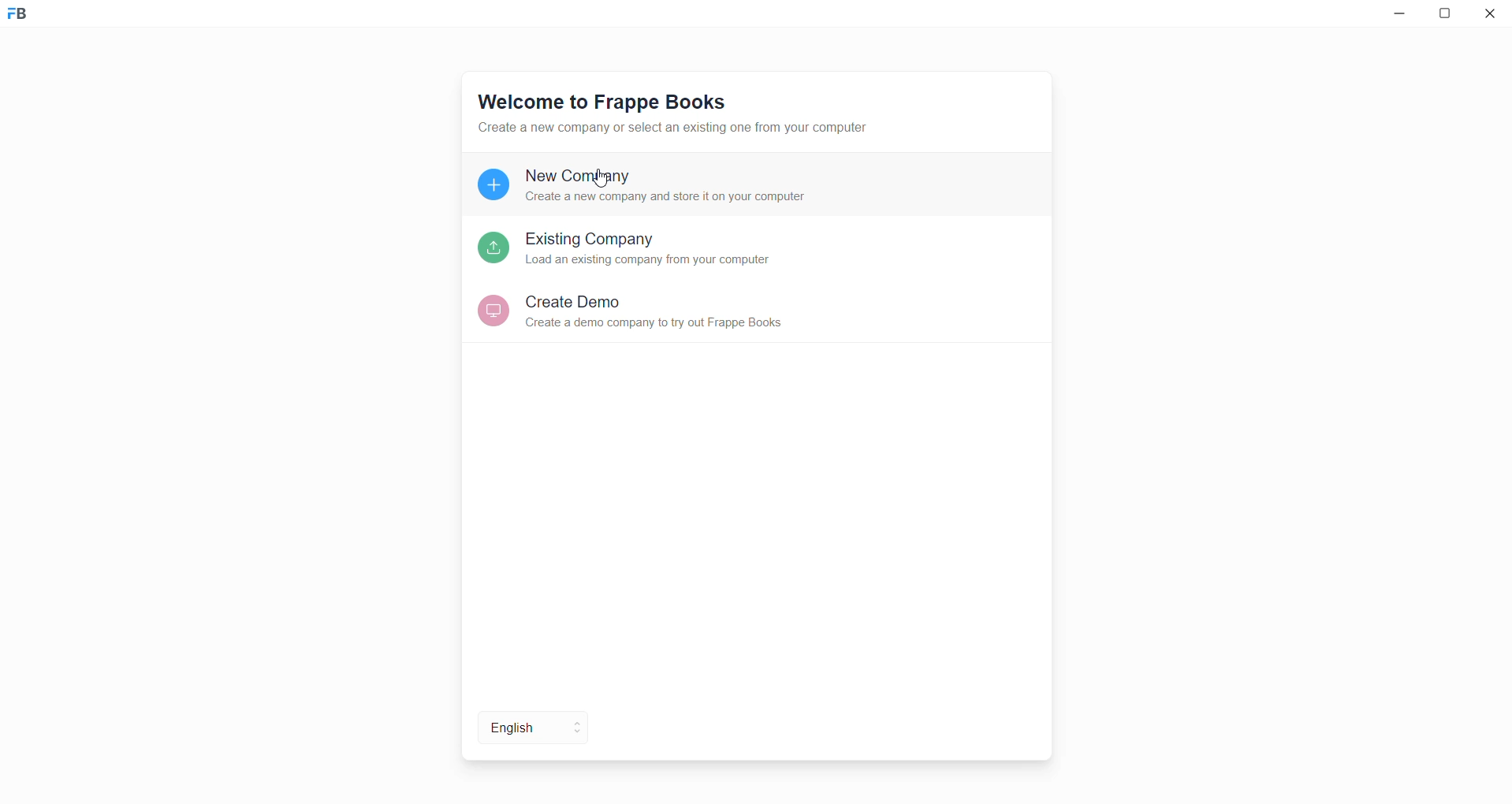 The image size is (1512, 804). Describe the element at coordinates (1491, 16) in the screenshot. I see `close` at that location.